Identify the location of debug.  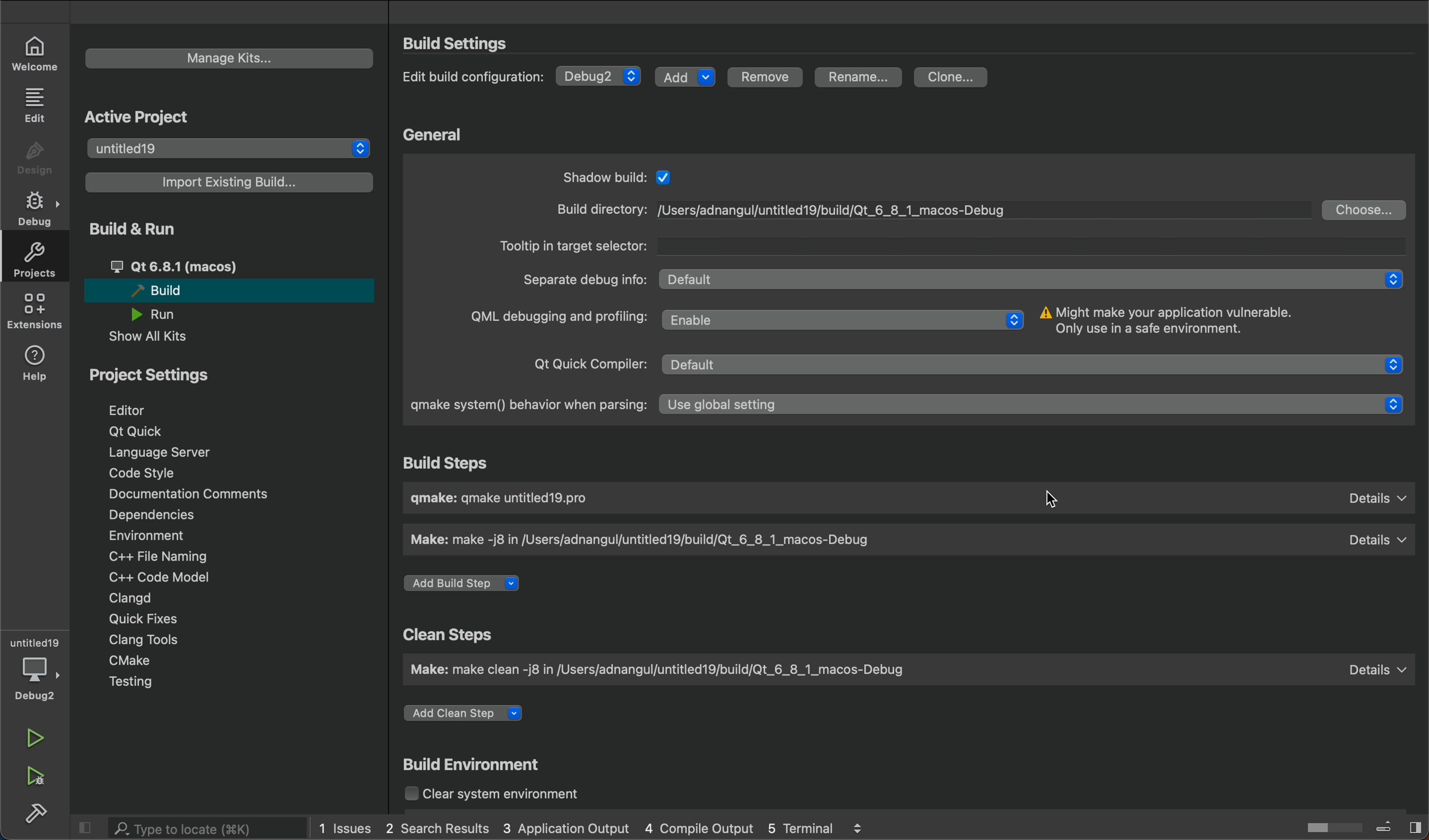
(599, 75).